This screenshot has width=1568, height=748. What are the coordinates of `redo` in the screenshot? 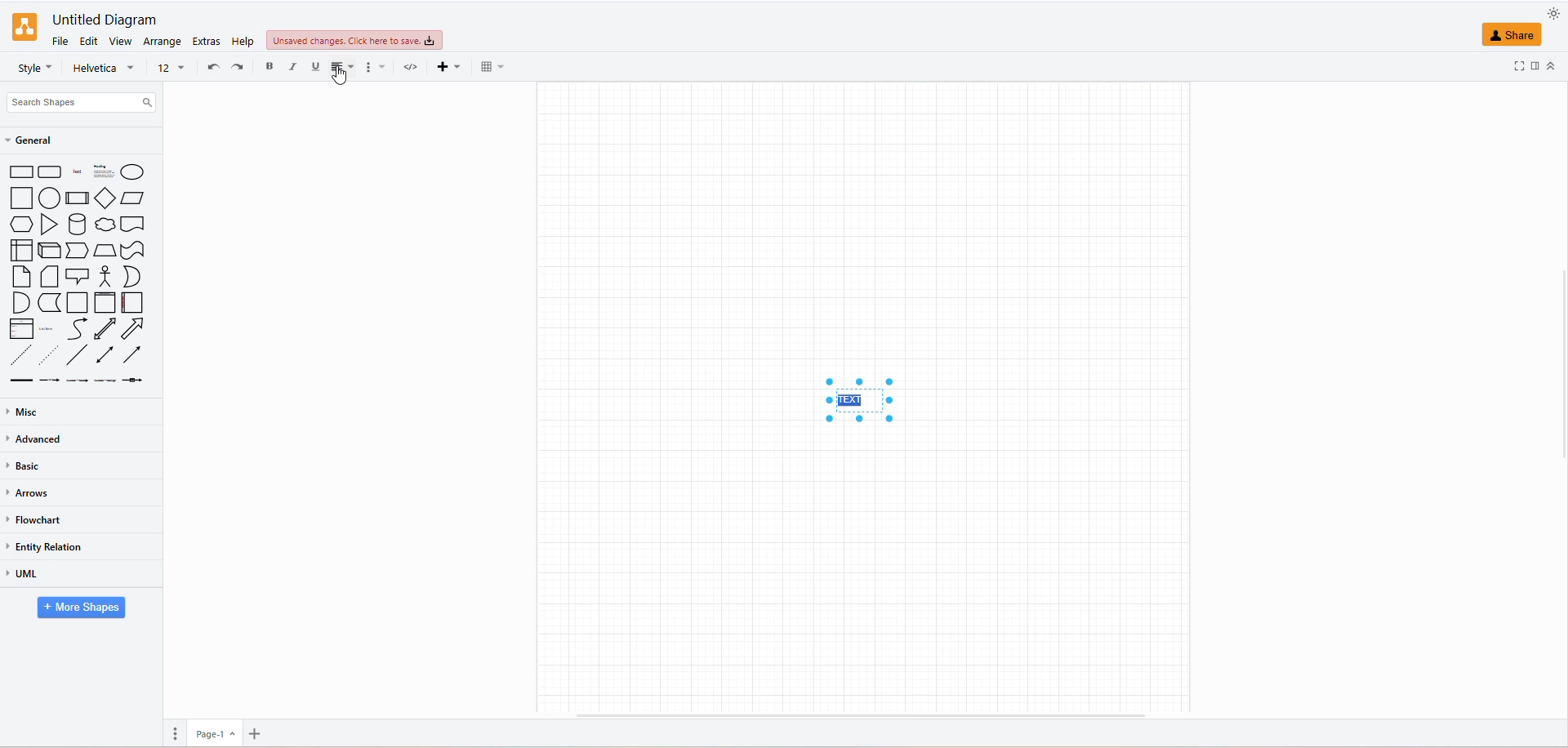 It's located at (238, 66).